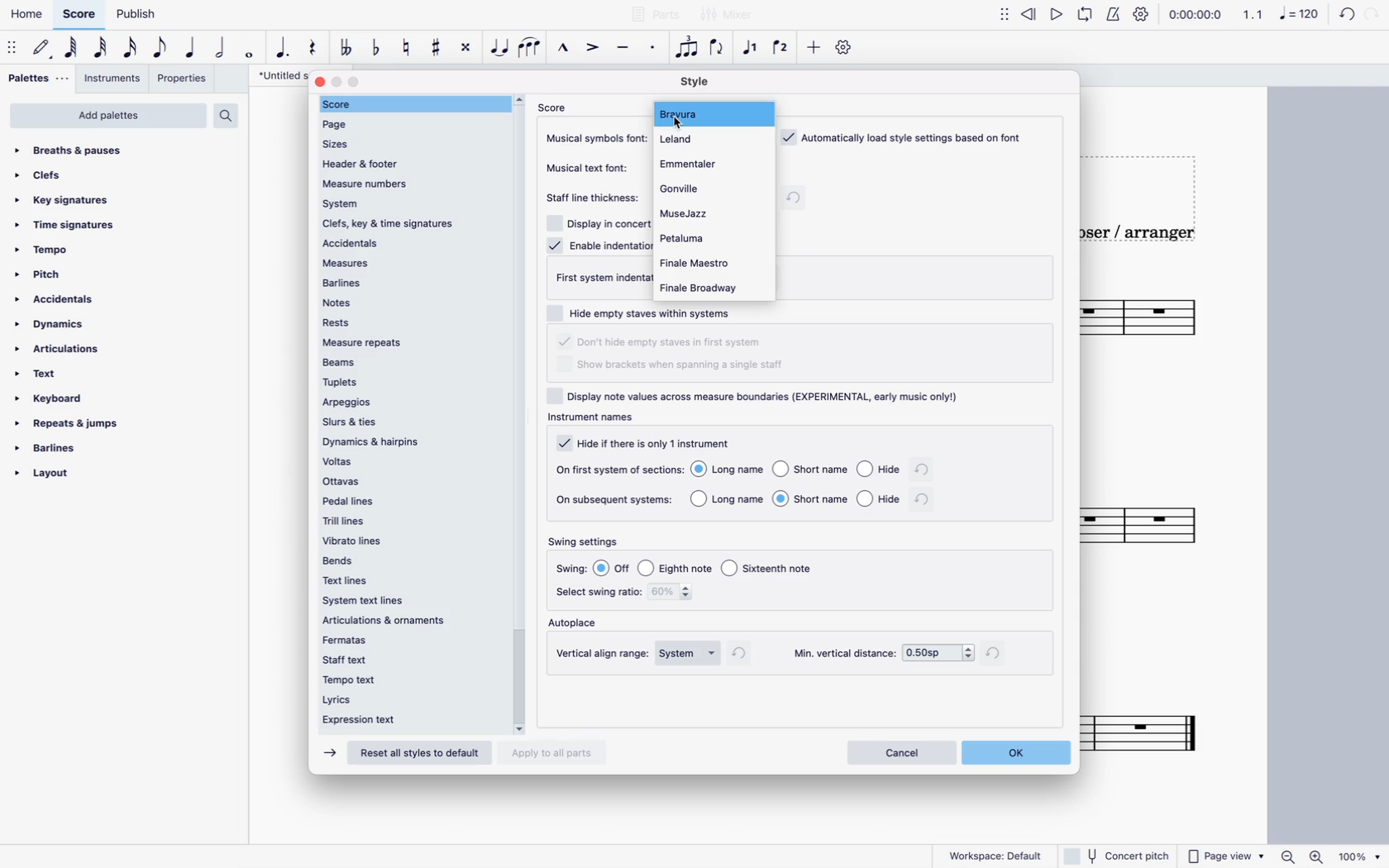 The width and height of the screenshot is (1389, 868). Describe the element at coordinates (647, 312) in the screenshot. I see `hide empty staves within systems` at that location.